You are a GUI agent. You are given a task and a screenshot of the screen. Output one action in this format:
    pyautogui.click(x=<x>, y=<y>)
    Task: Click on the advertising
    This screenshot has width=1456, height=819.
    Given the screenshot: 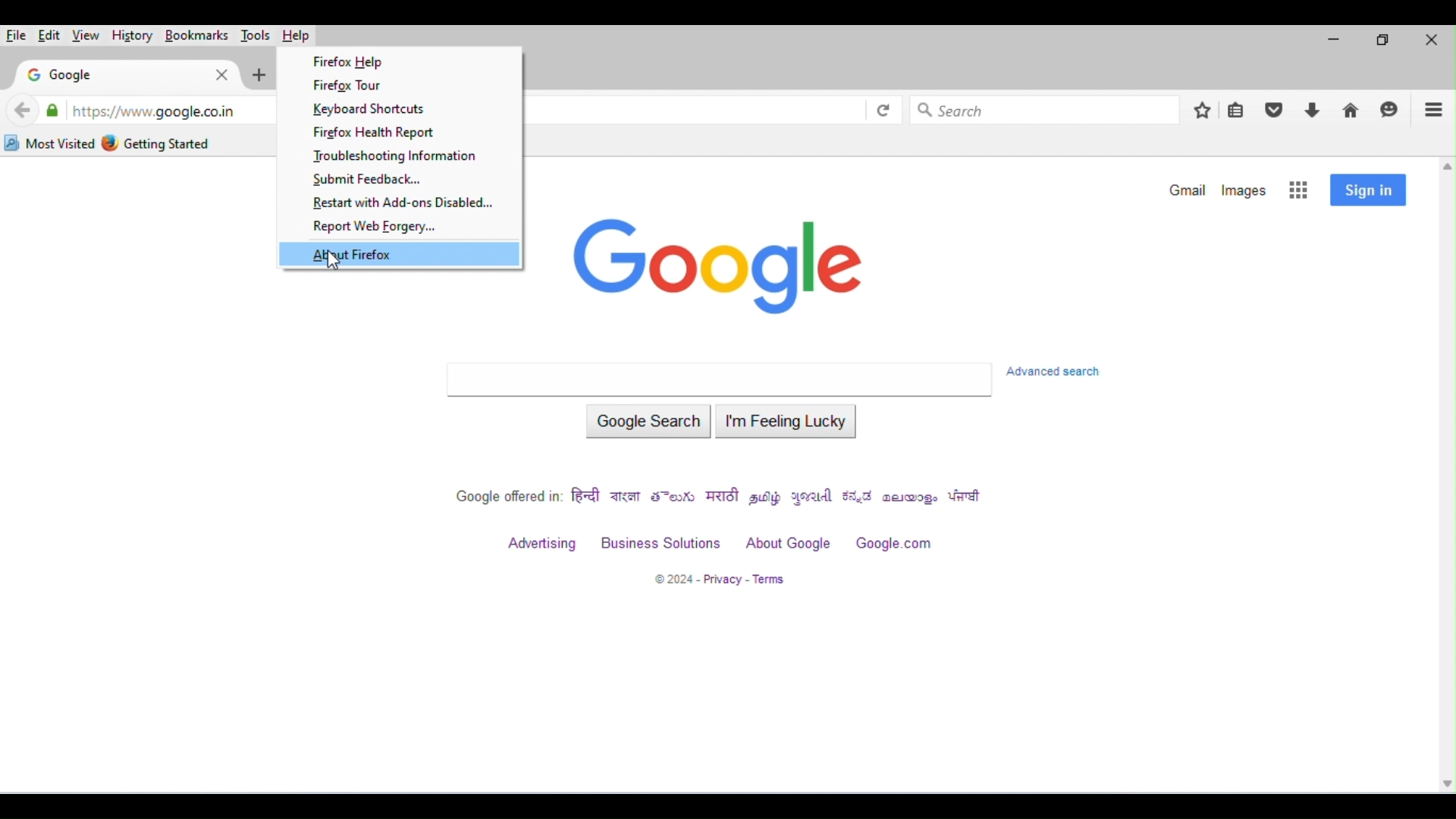 What is the action you would take?
    pyautogui.click(x=544, y=545)
    